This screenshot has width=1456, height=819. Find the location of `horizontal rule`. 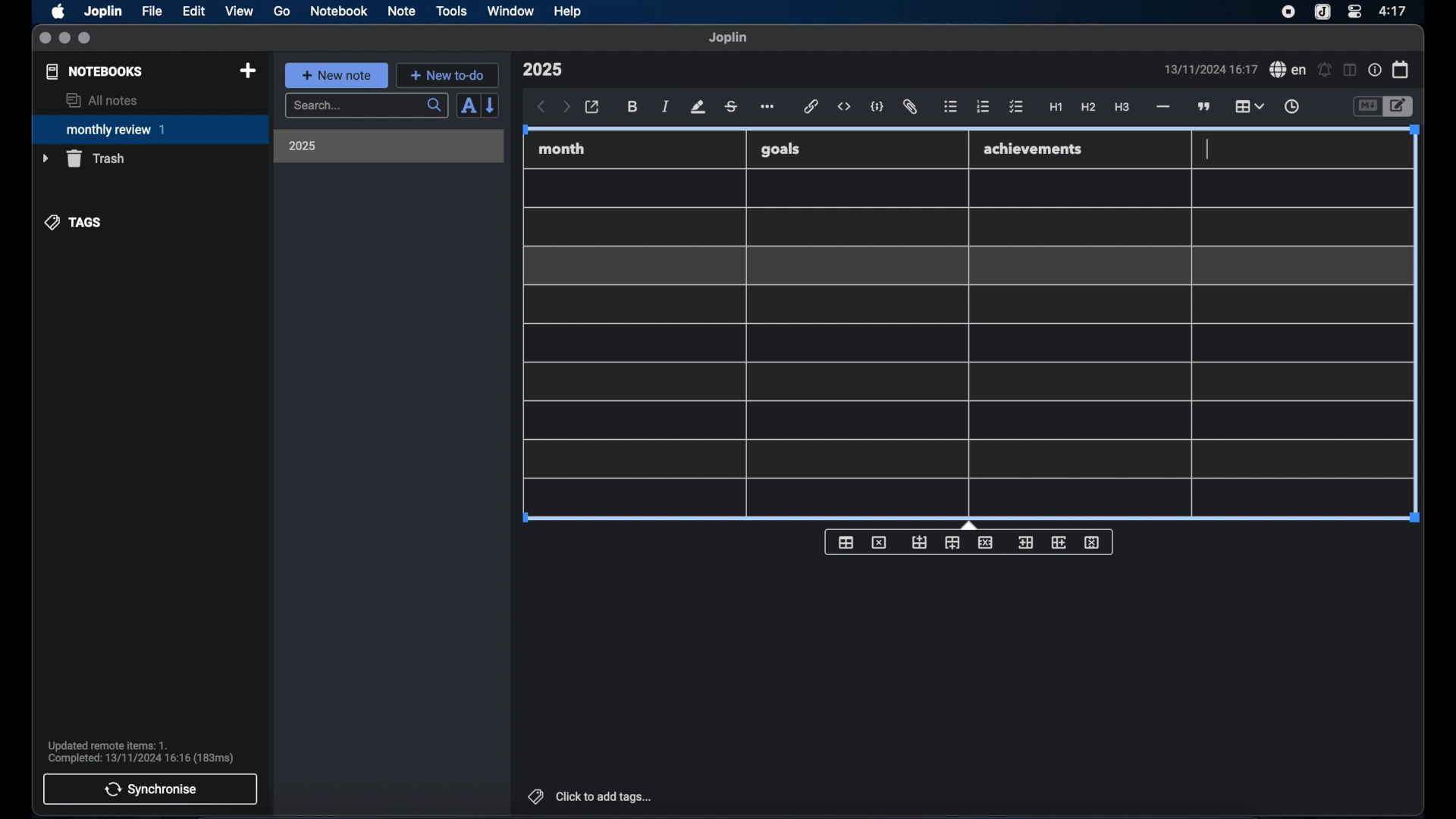

horizontal rule is located at coordinates (1162, 107).